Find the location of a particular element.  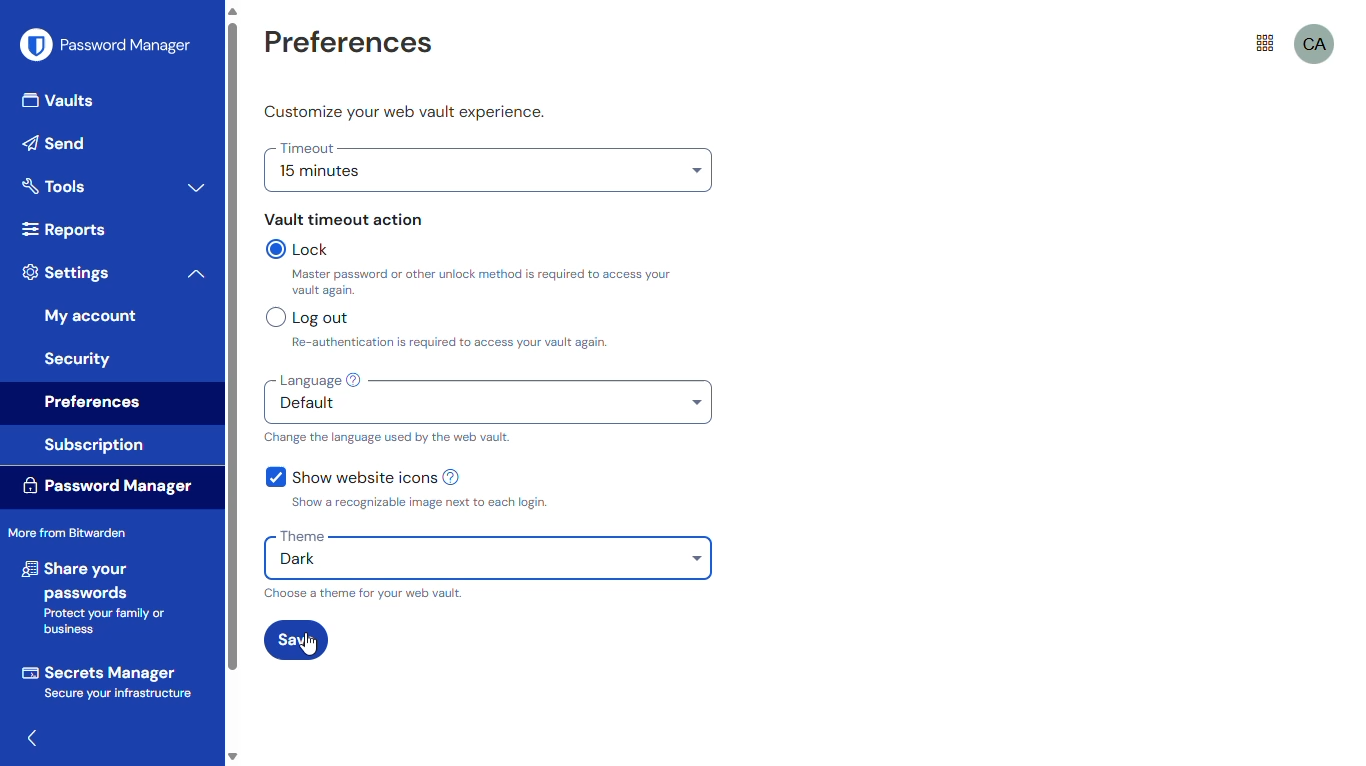

lock is located at coordinates (302, 249).